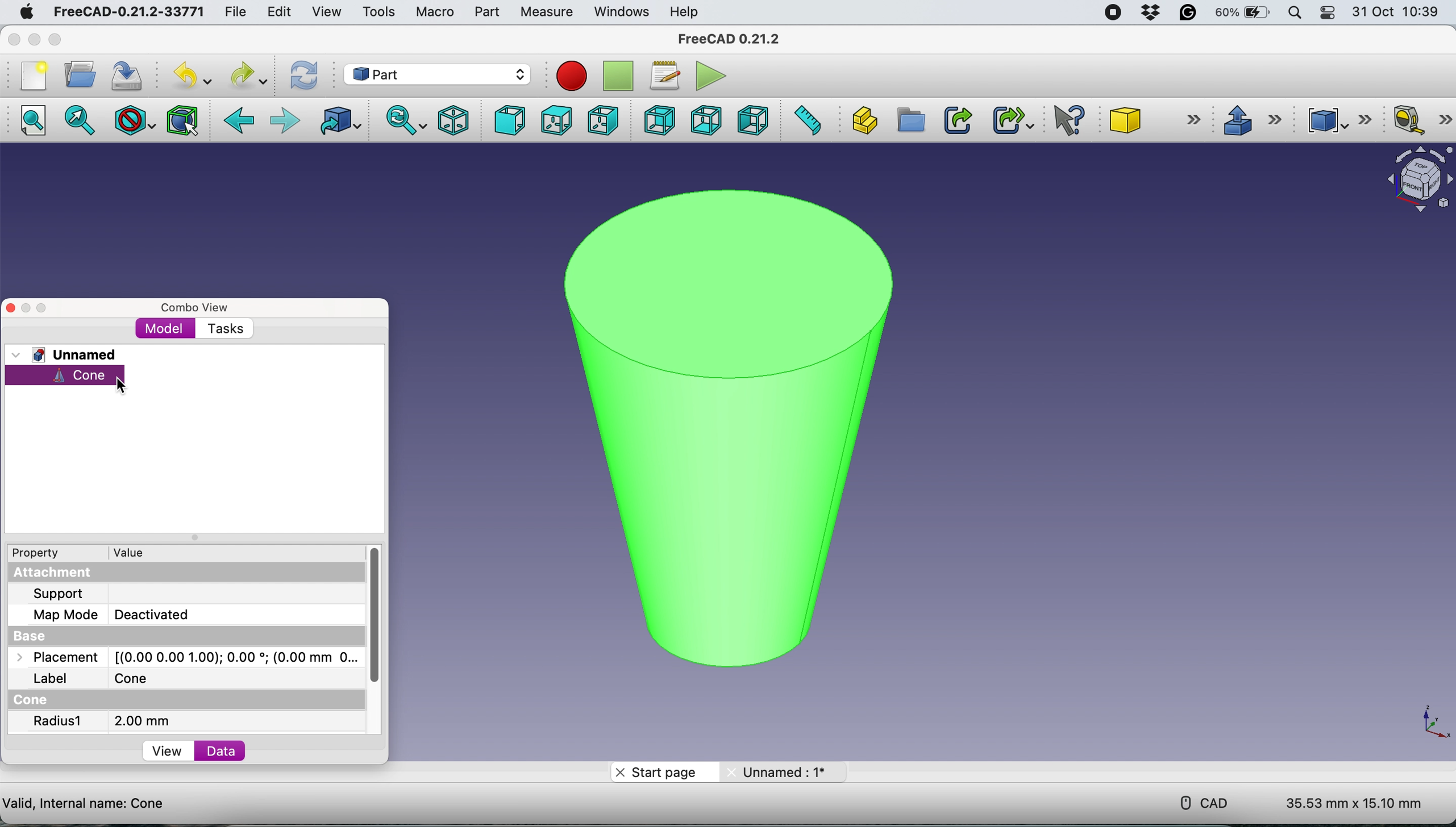  What do you see at coordinates (1147, 13) in the screenshot?
I see `dropbox` at bounding box center [1147, 13].